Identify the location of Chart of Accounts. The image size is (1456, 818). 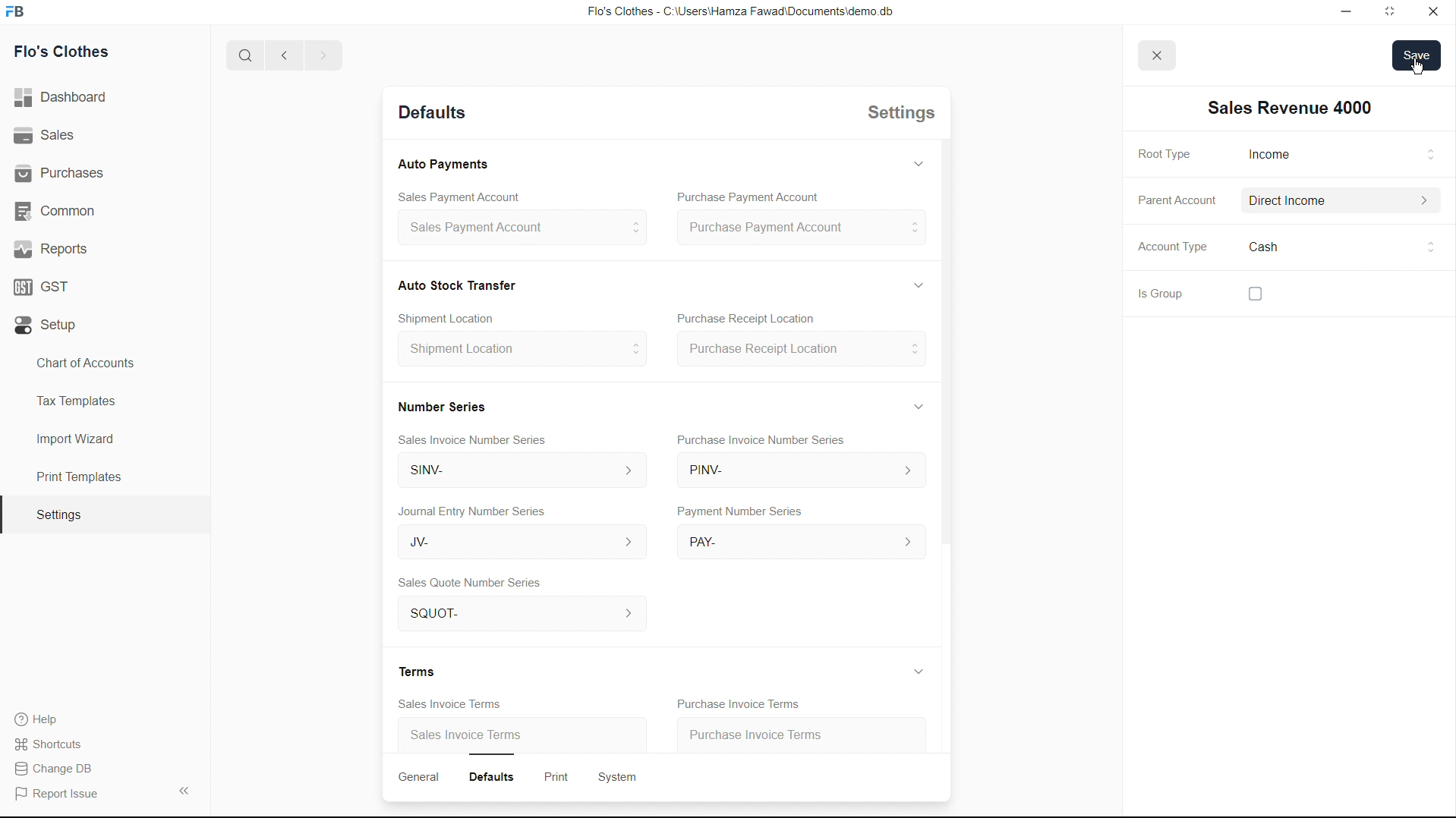
(81, 363).